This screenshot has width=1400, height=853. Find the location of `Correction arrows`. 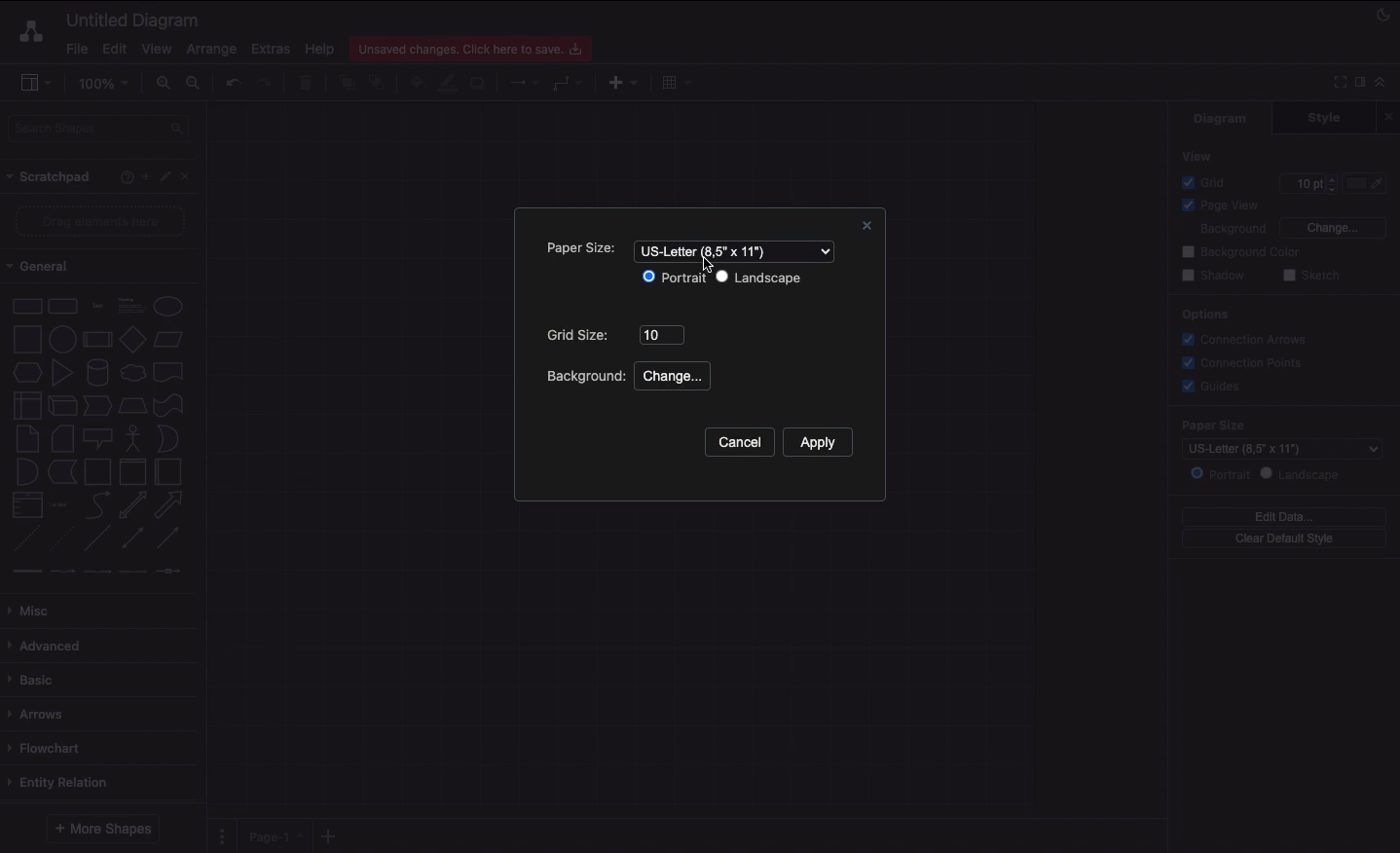

Correction arrows is located at coordinates (1241, 338).